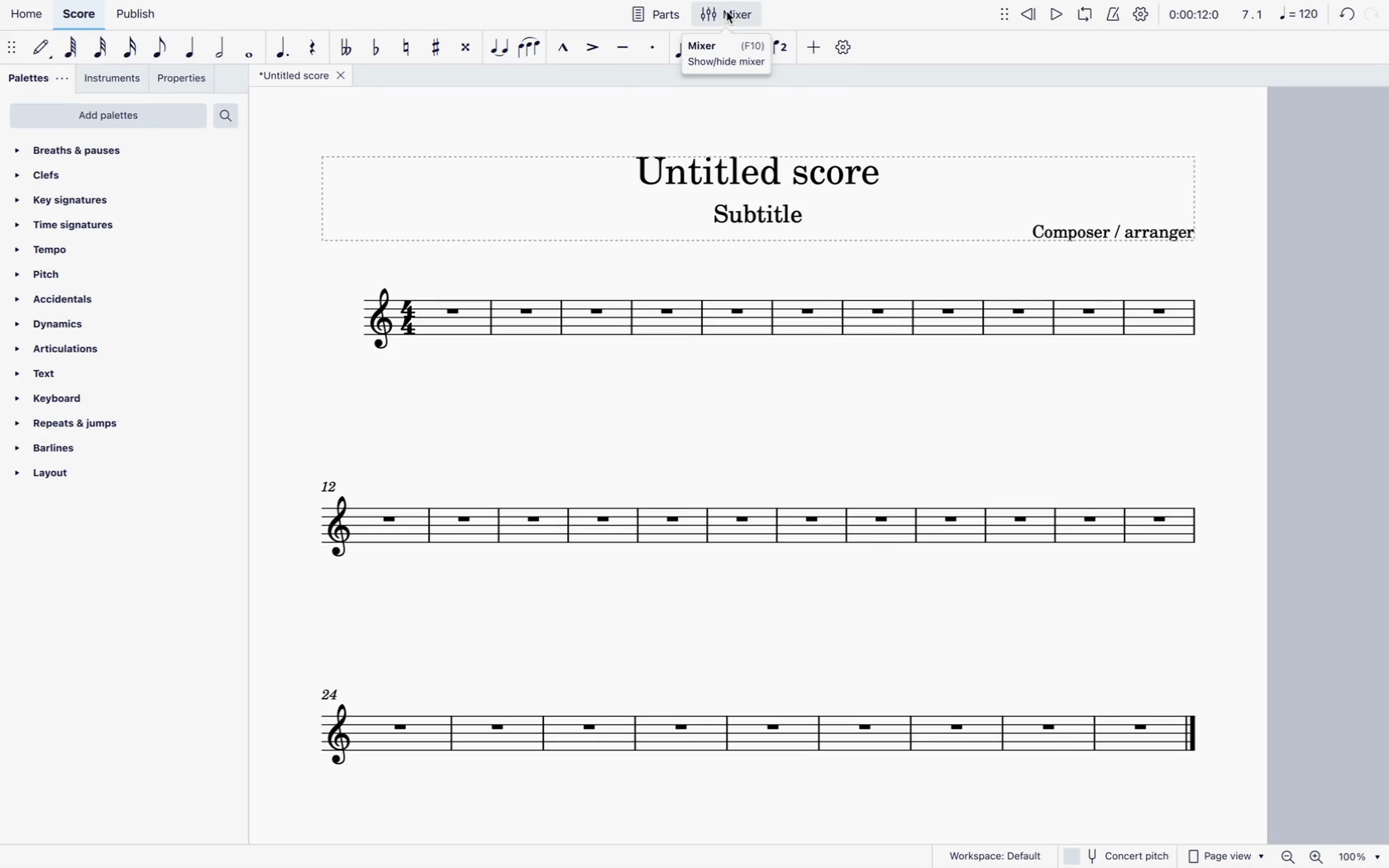  Describe the element at coordinates (814, 48) in the screenshot. I see `more` at that location.